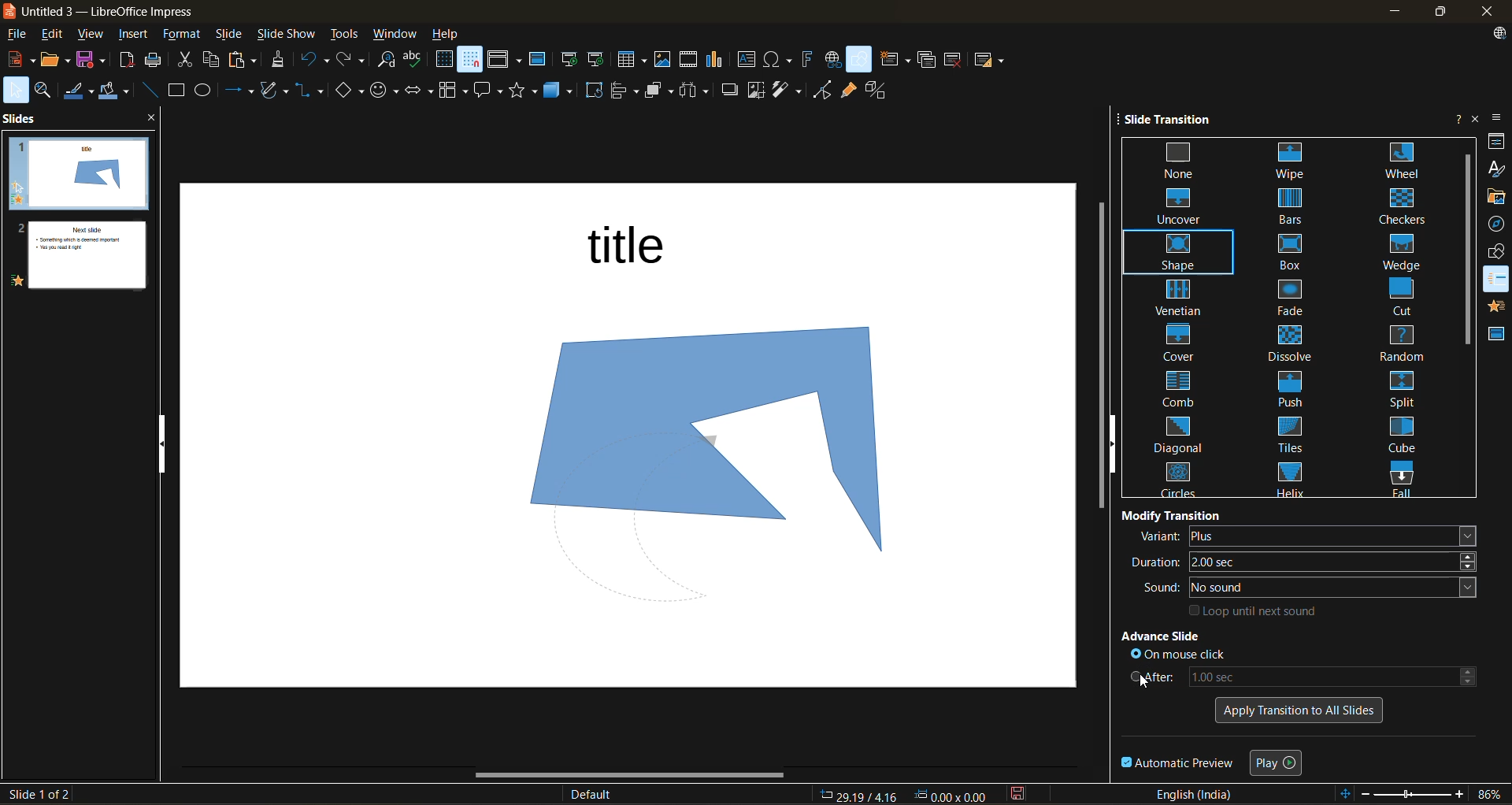 This screenshot has width=1512, height=805. What do you see at coordinates (149, 90) in the screenshot?
I see `insert line` at bounding box center [149, 90].